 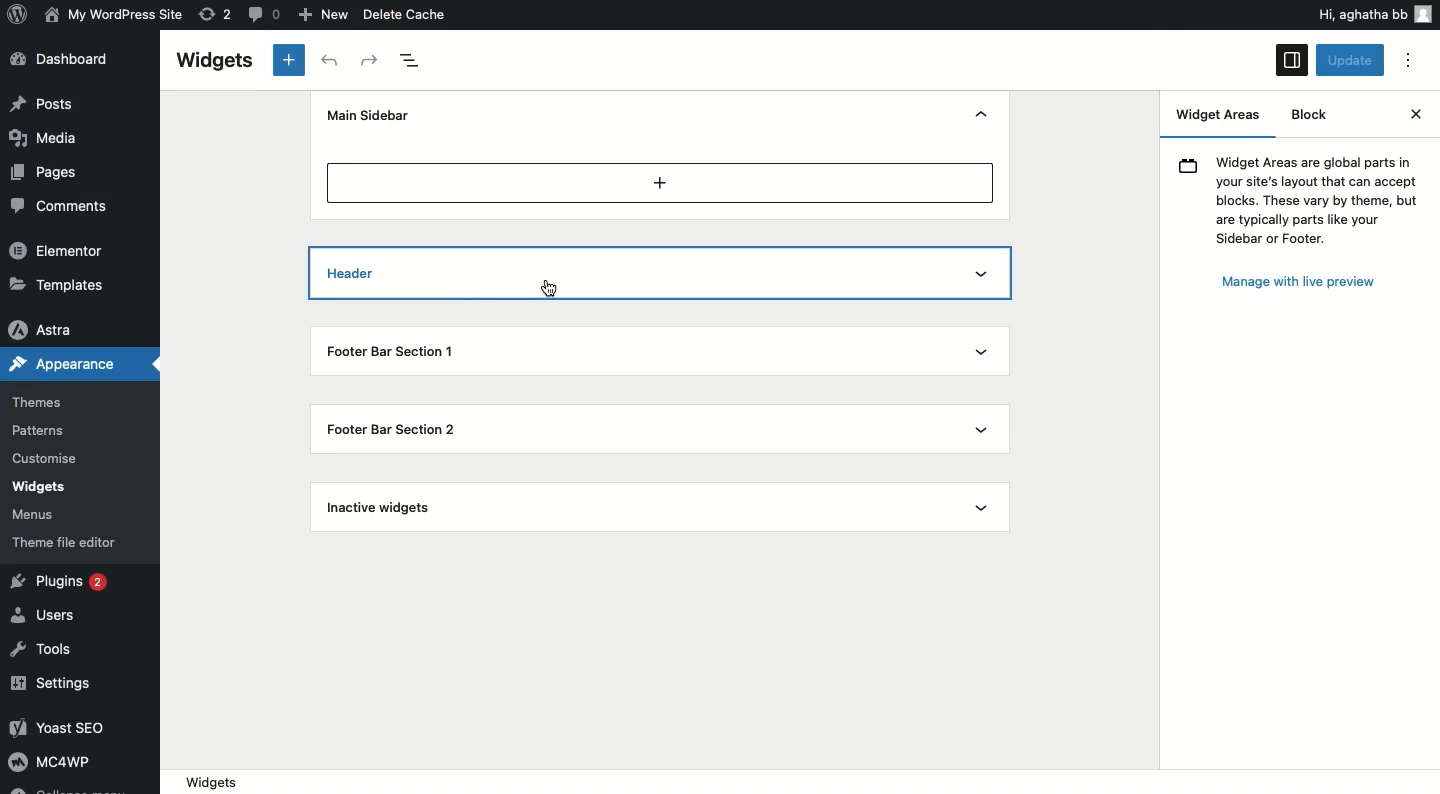 What do you see at coordinates (412, 61) in the screenshot?
I see `Document overview` at bounding box center [412, 61].